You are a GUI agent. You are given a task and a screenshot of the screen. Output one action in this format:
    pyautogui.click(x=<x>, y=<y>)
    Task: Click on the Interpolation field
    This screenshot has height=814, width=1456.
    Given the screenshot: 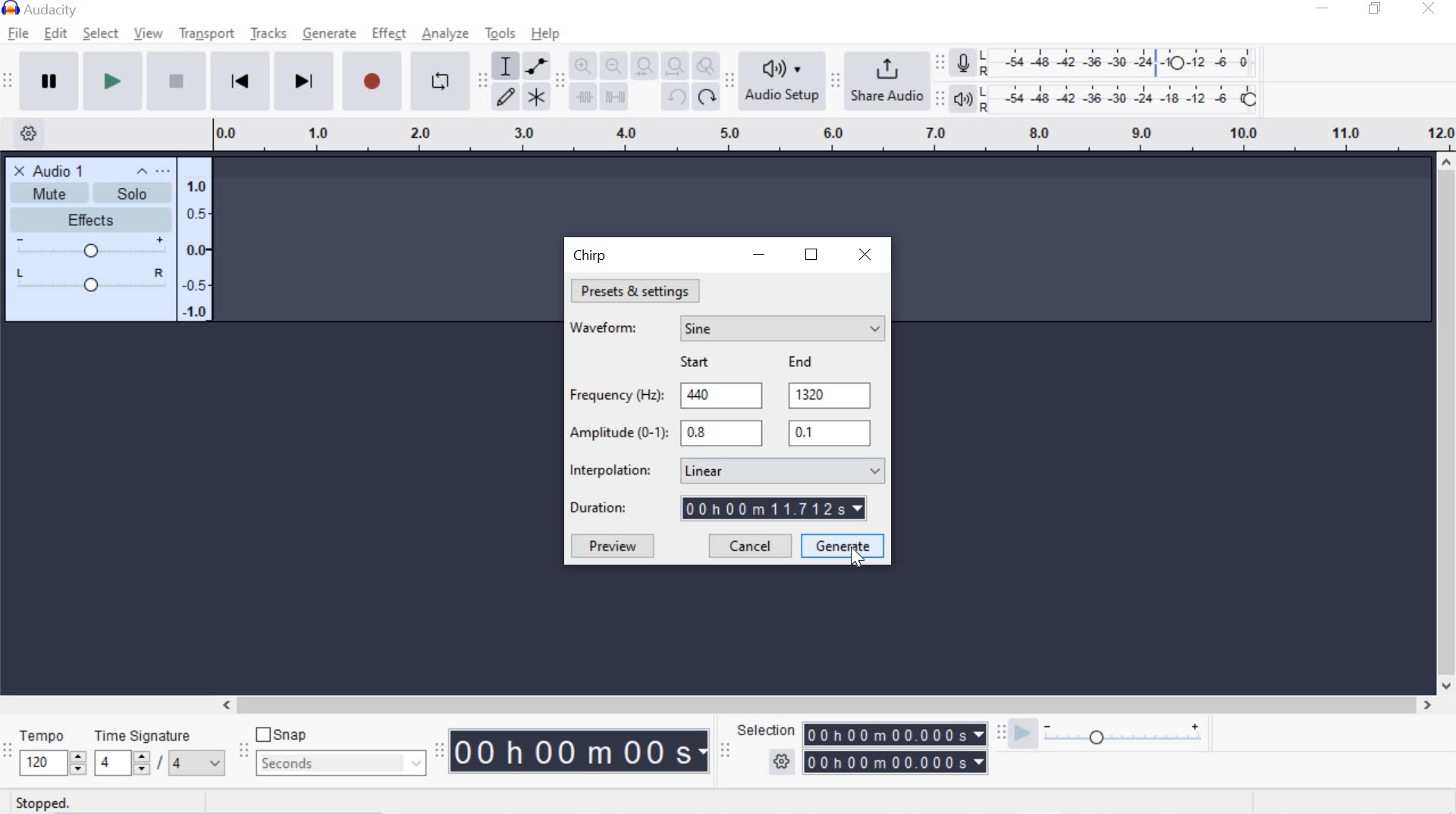 What is the action you would take?
    pyautogui.click(x=783, y=470)
    